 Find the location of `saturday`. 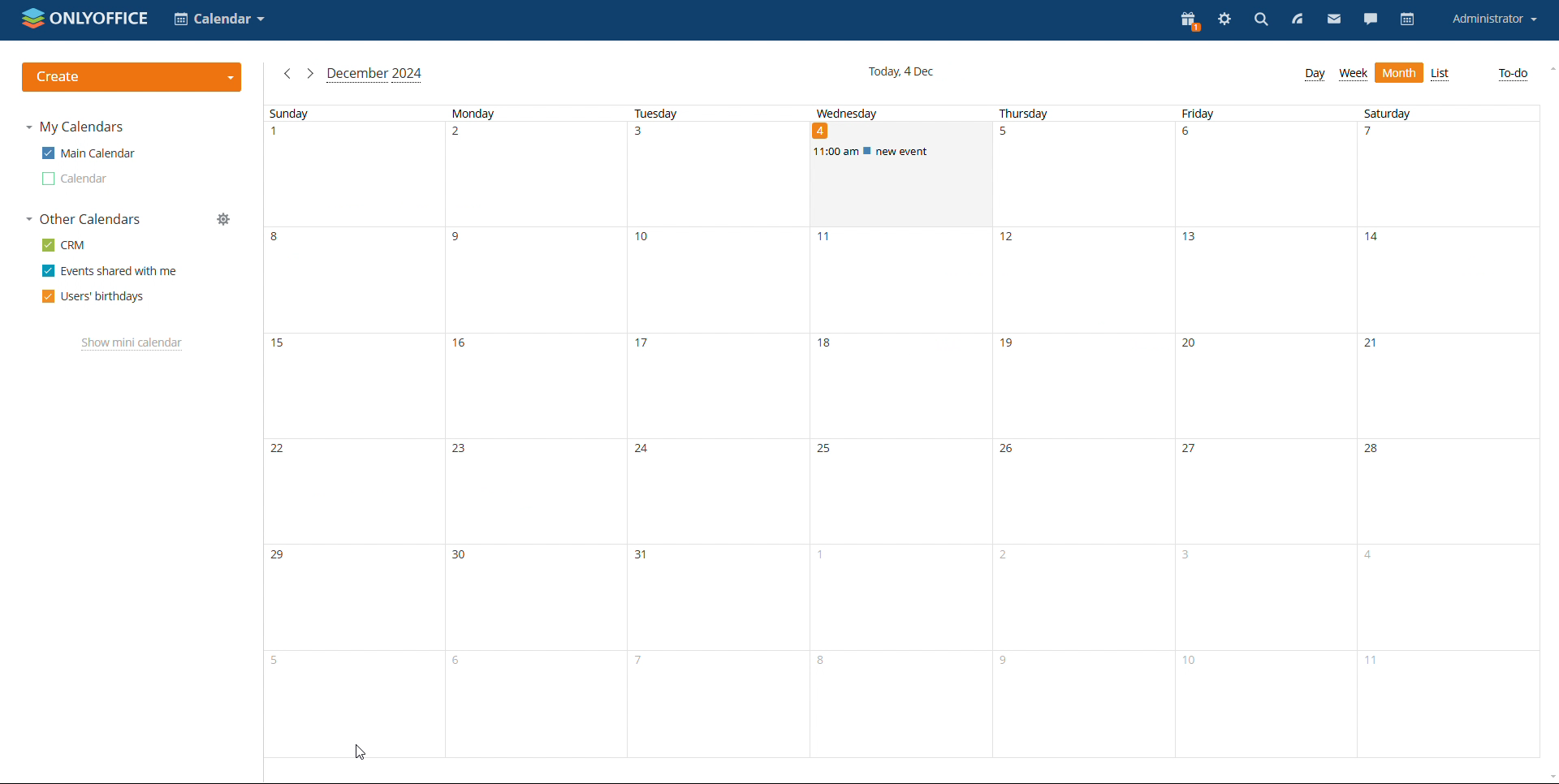

saturday is located at coordinates (1445, 431).